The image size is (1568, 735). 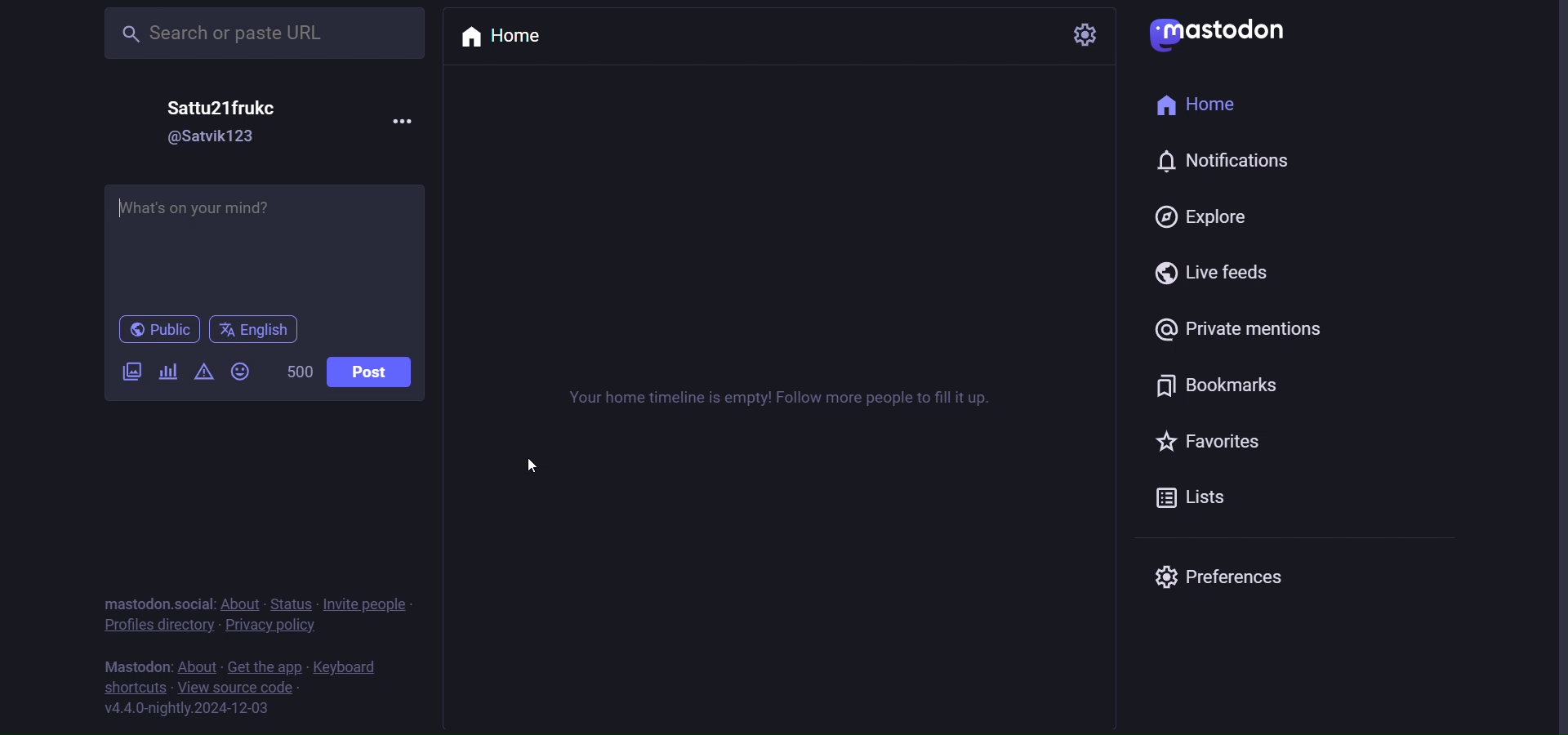 I want to click on mastodon, so click(x=132, y=665).